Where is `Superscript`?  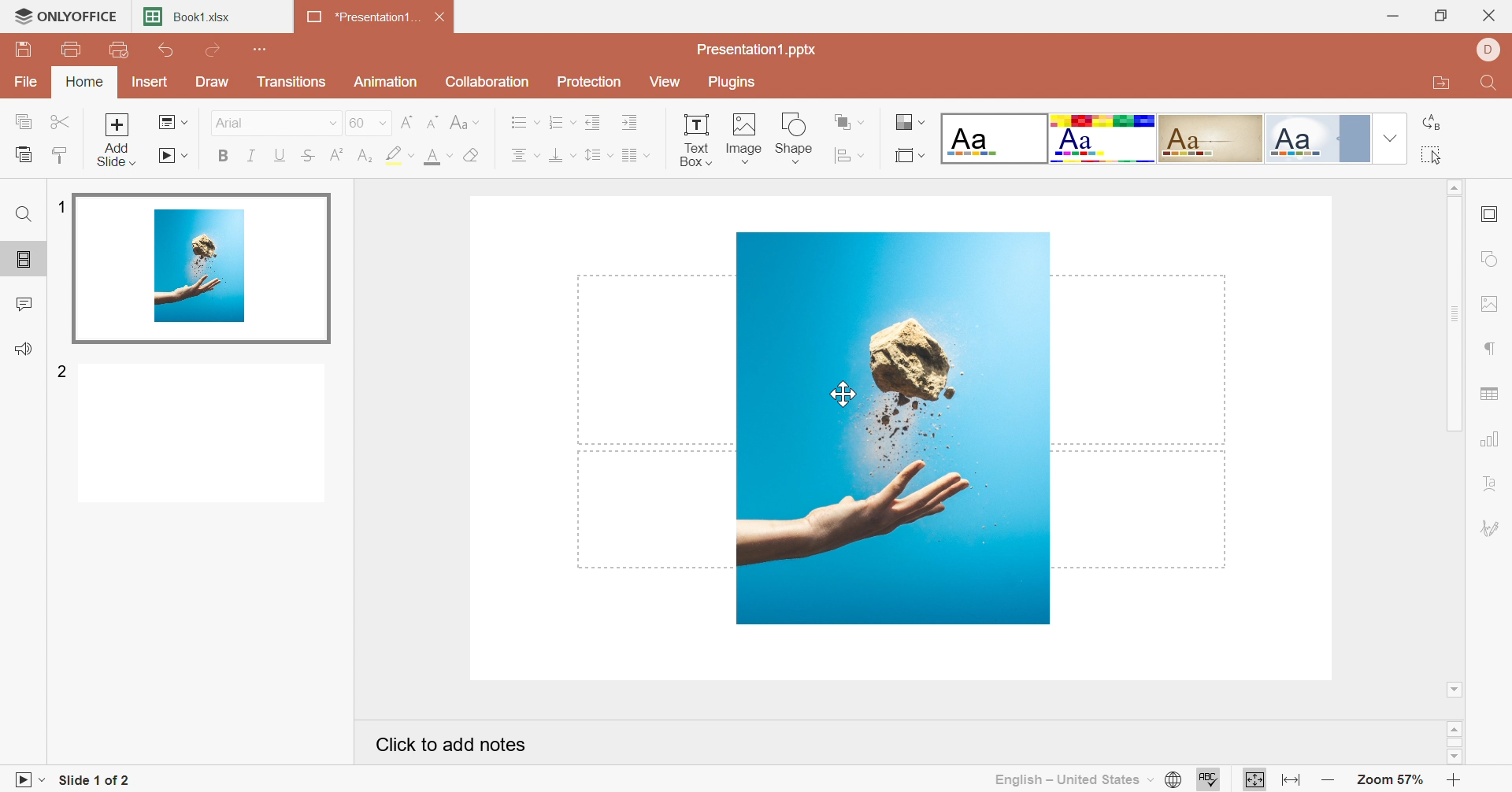 Superscript is located at coordinates (335, 153).